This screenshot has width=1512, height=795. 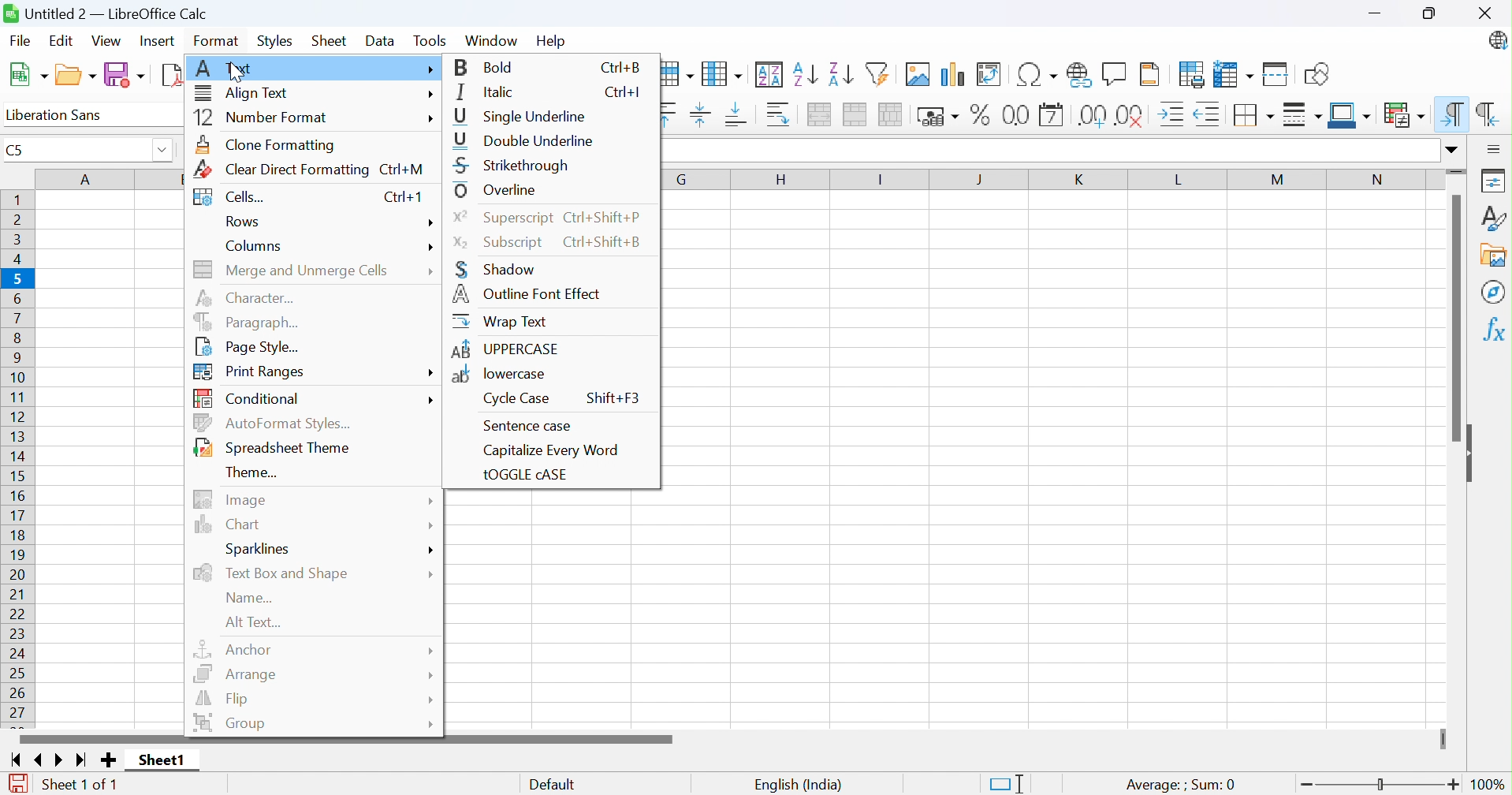 What do you see at coordinates (226, 66) in the screenshot?
I see `Text` at bounding box center [226, 66].